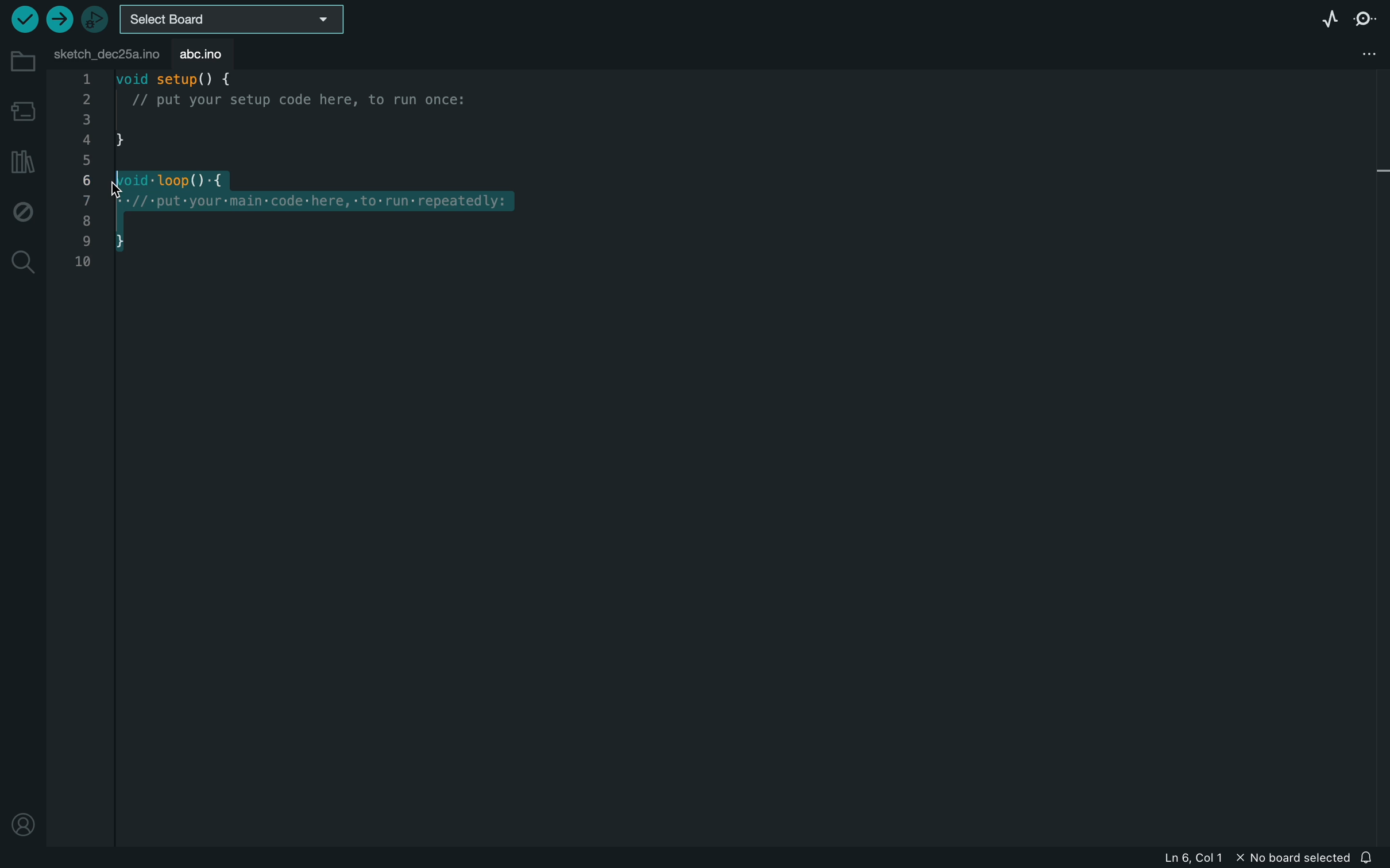 This screenshot has width=1390, height=868. I want to click on notification, so click(1369, 856).